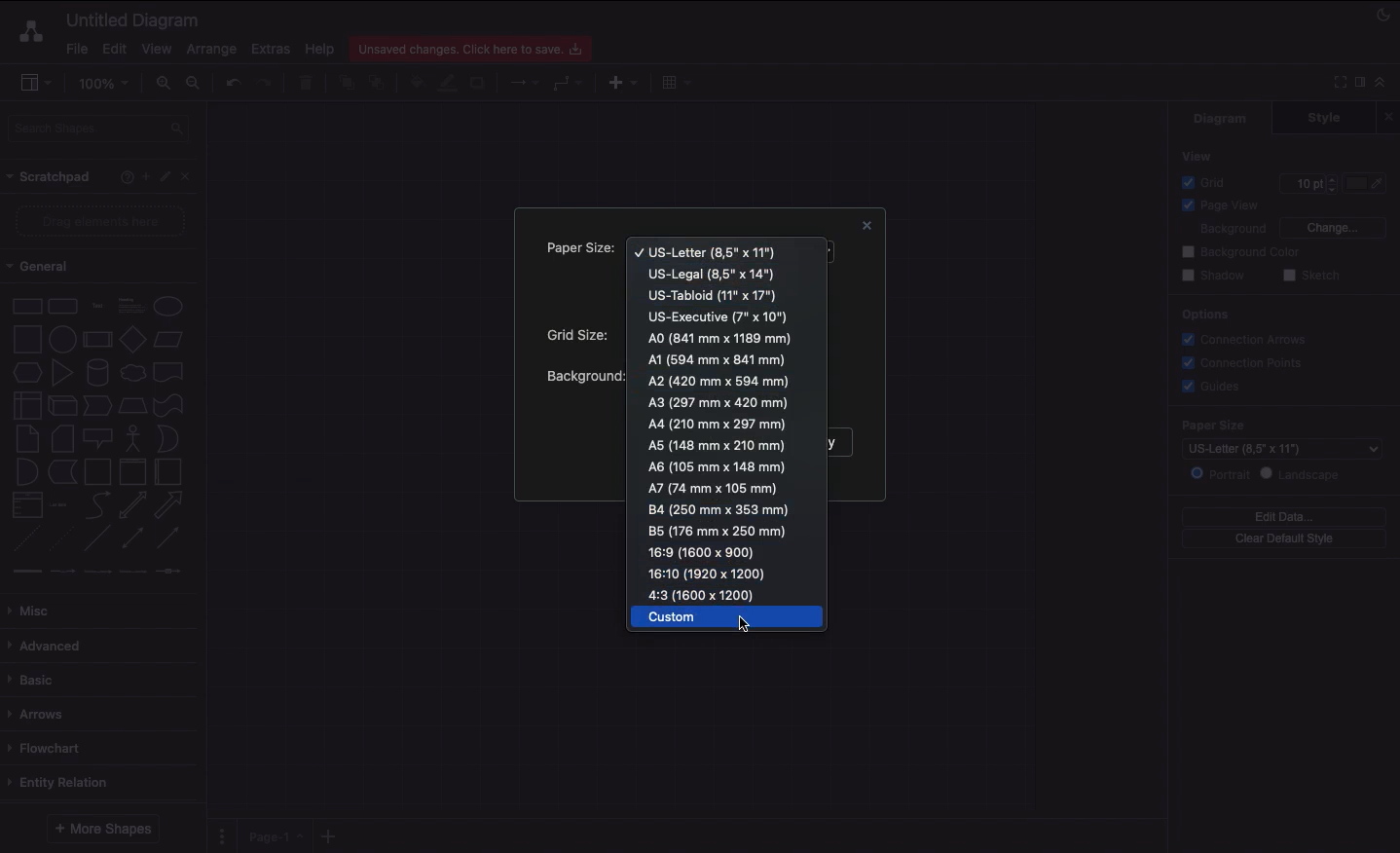 The width and height of the screenshot is (1400, 853). I want to click on Arrow, so click(169, 505).